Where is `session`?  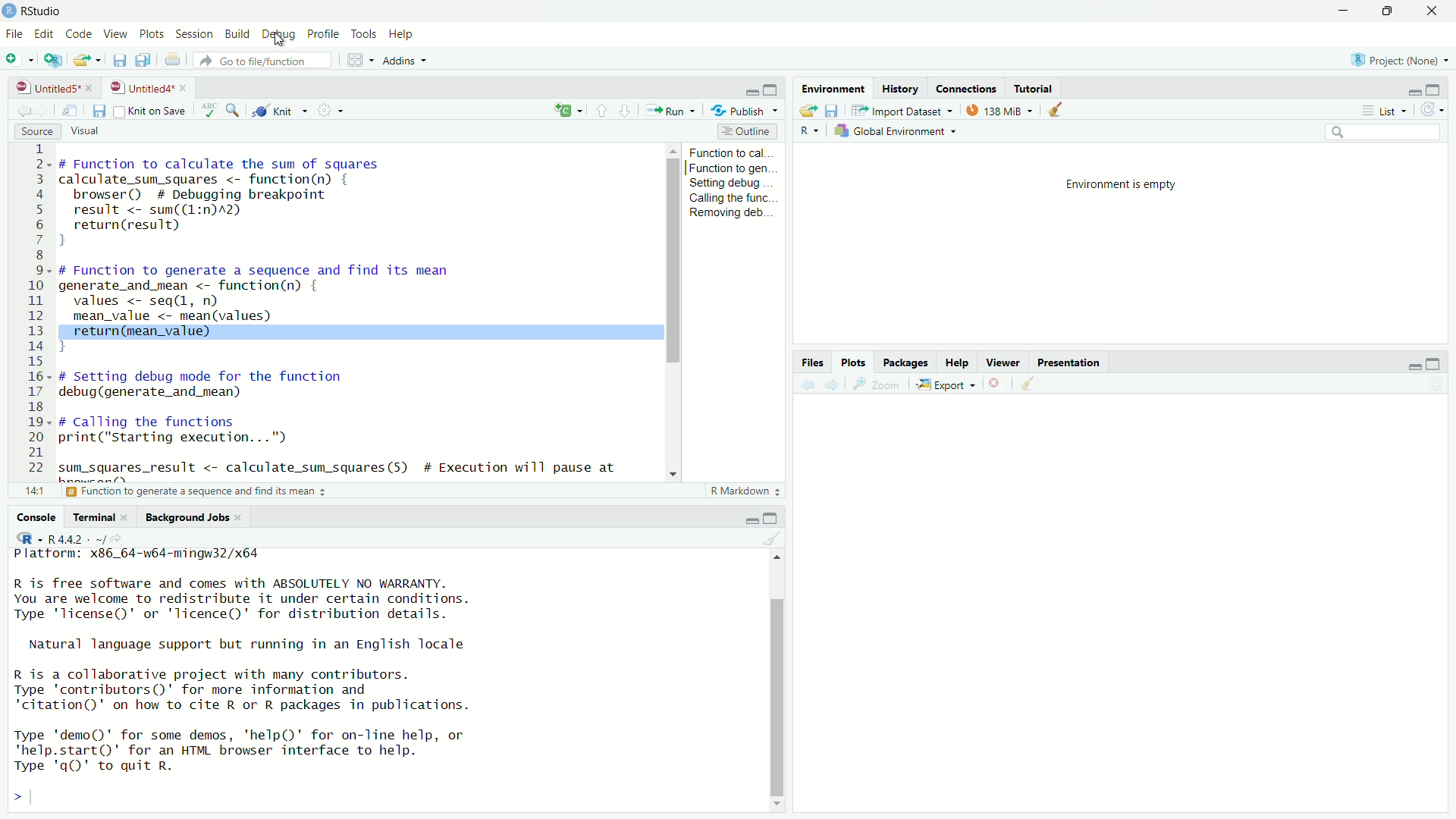 session is located at coordinates (194, 33).